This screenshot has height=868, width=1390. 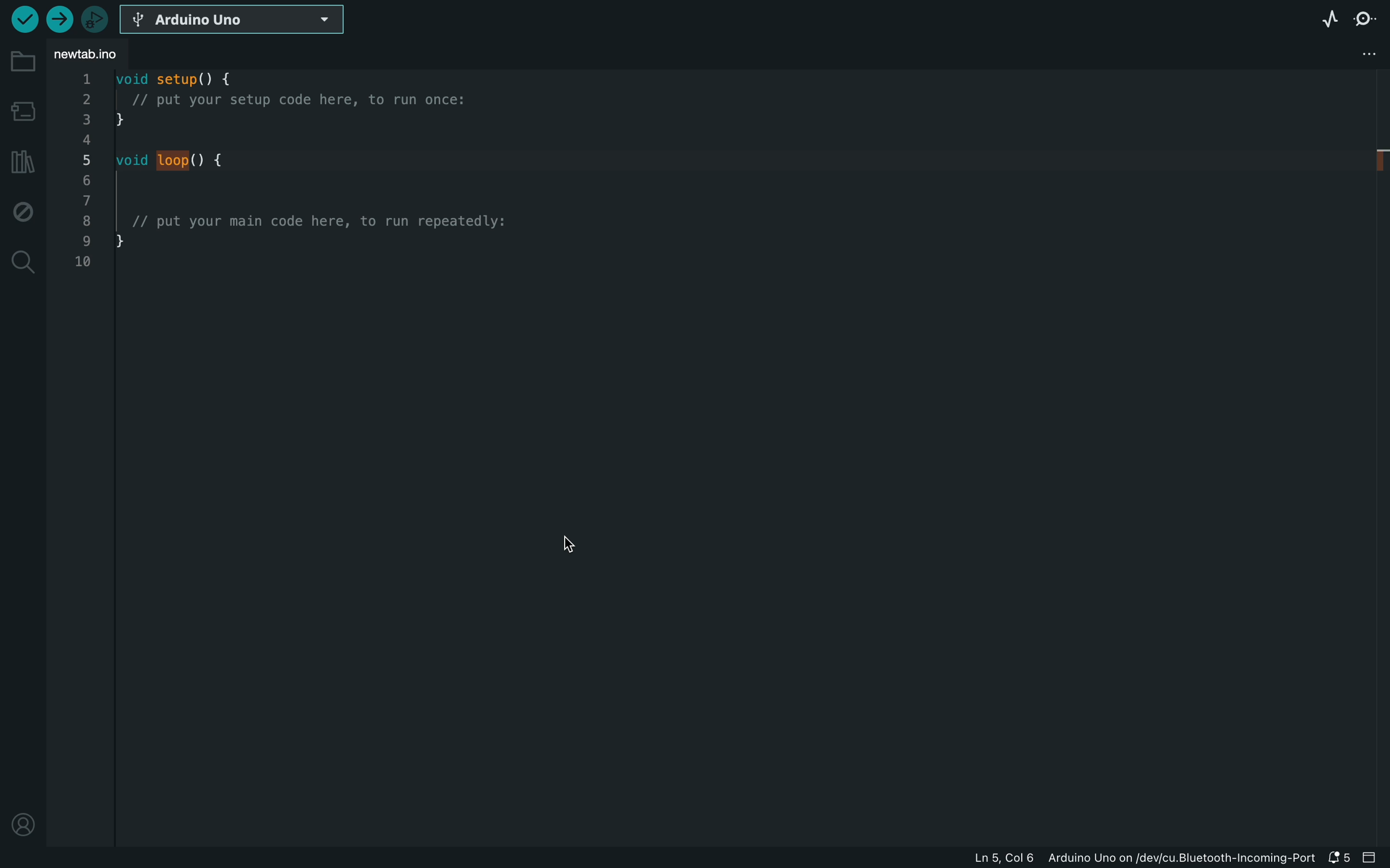 What do you see at coordinates (20, 60) in the screenshot?
I see `folder` at bounding box center [20, 60].